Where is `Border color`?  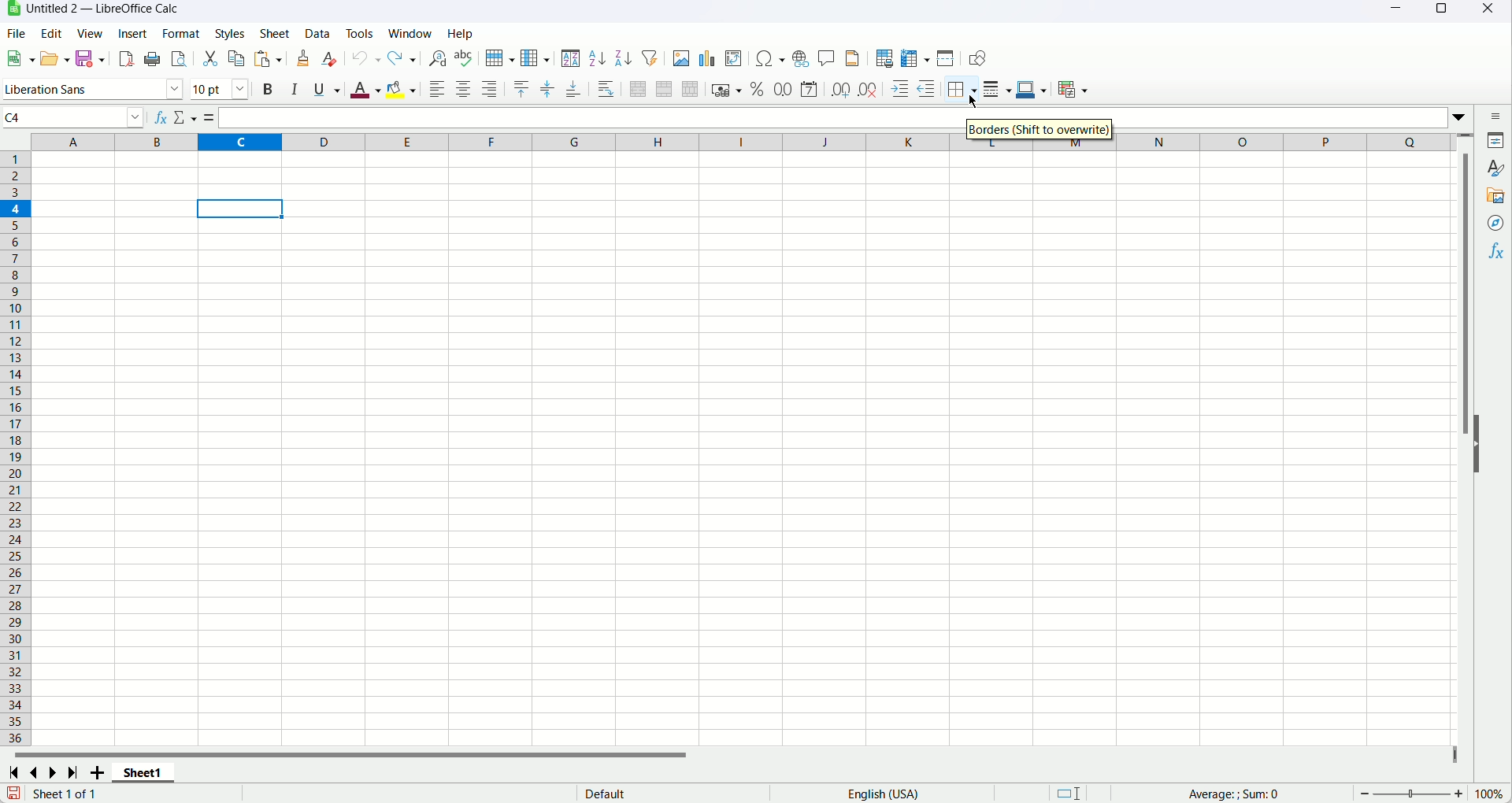
Border color is located at coordinates (1031, 89).